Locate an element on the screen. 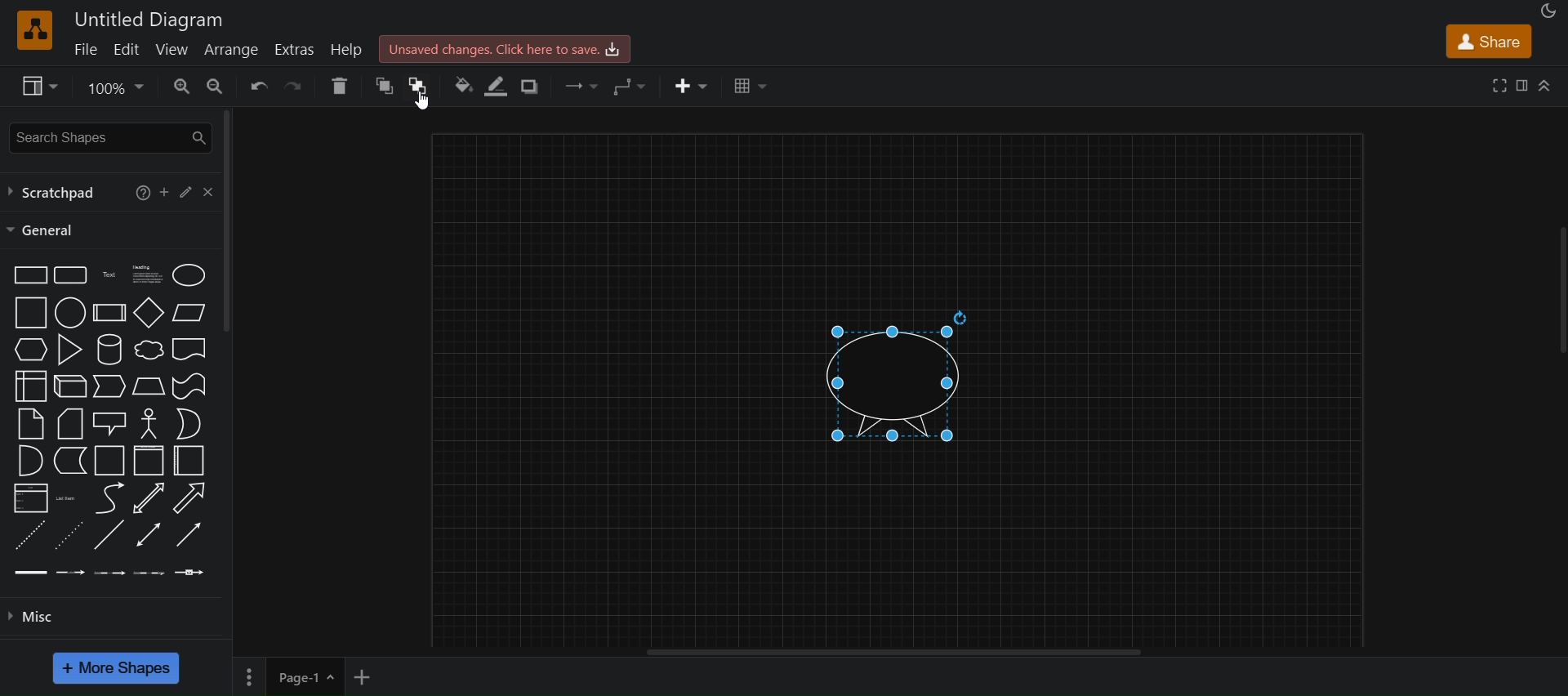 This screenshot has width=1568, height=696. cloud is located at coordinates (149, 350).